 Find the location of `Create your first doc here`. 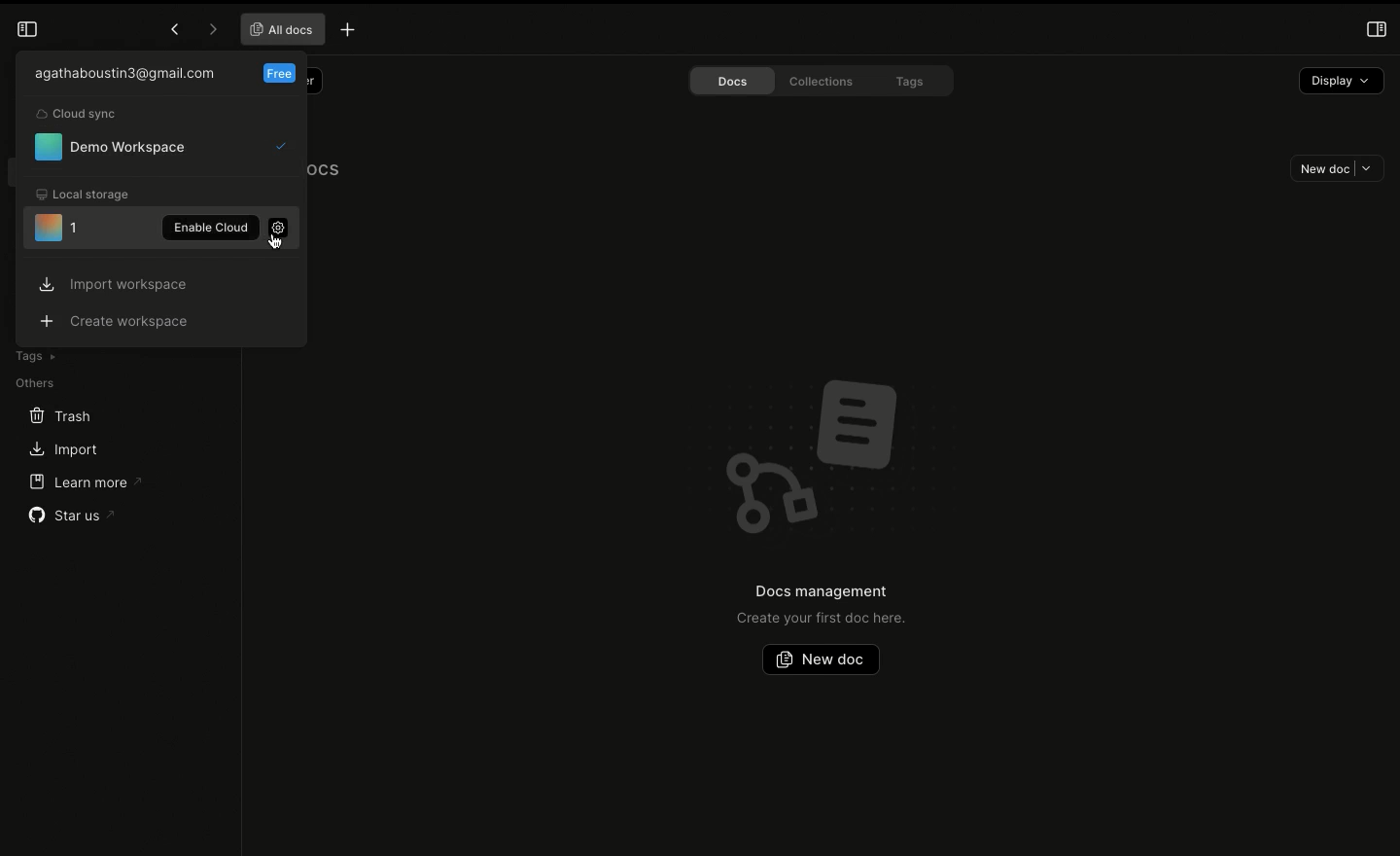

Create your first doc here is located at coordinates (822, 618).